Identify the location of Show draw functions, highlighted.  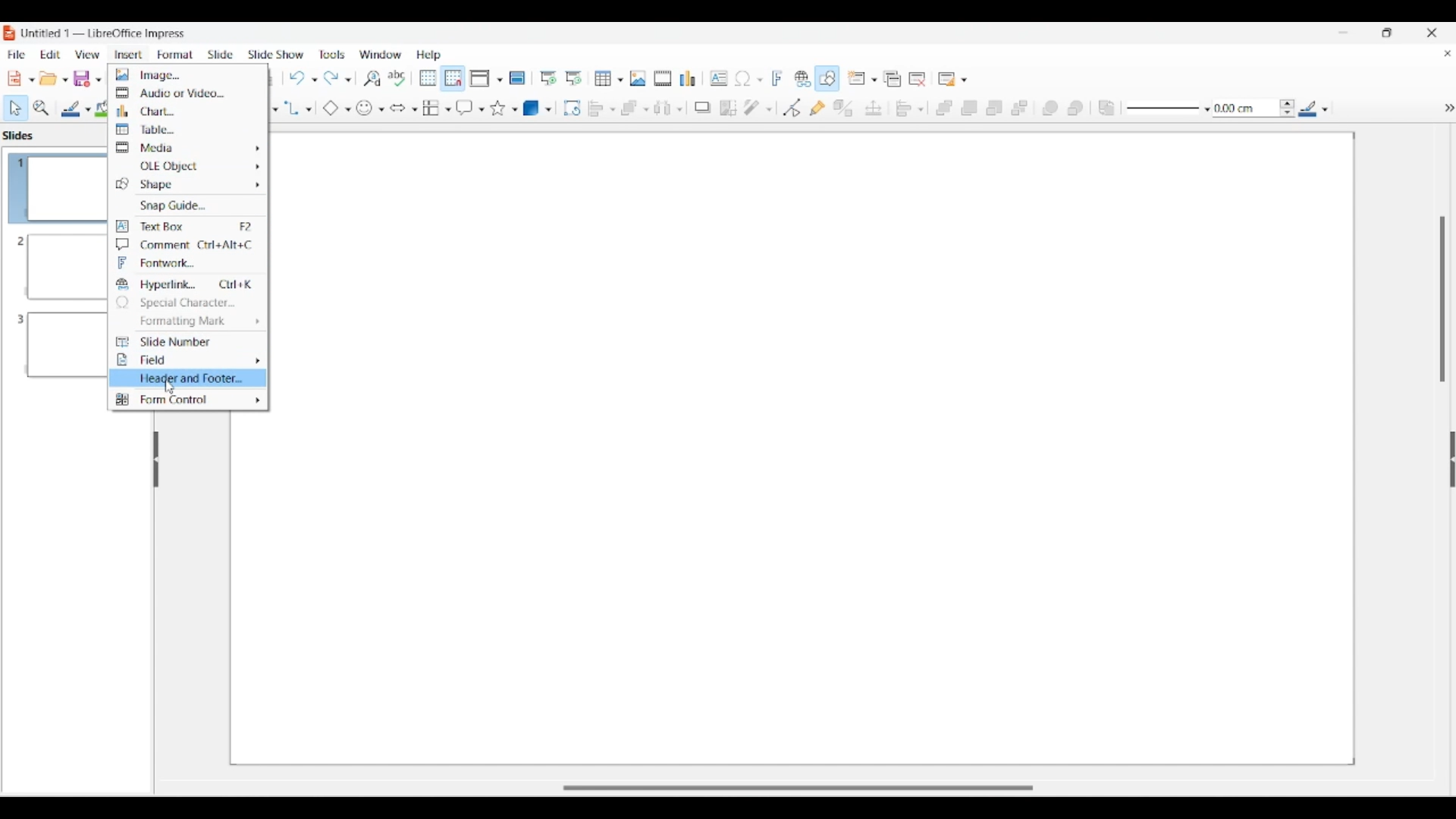
(826, 78).